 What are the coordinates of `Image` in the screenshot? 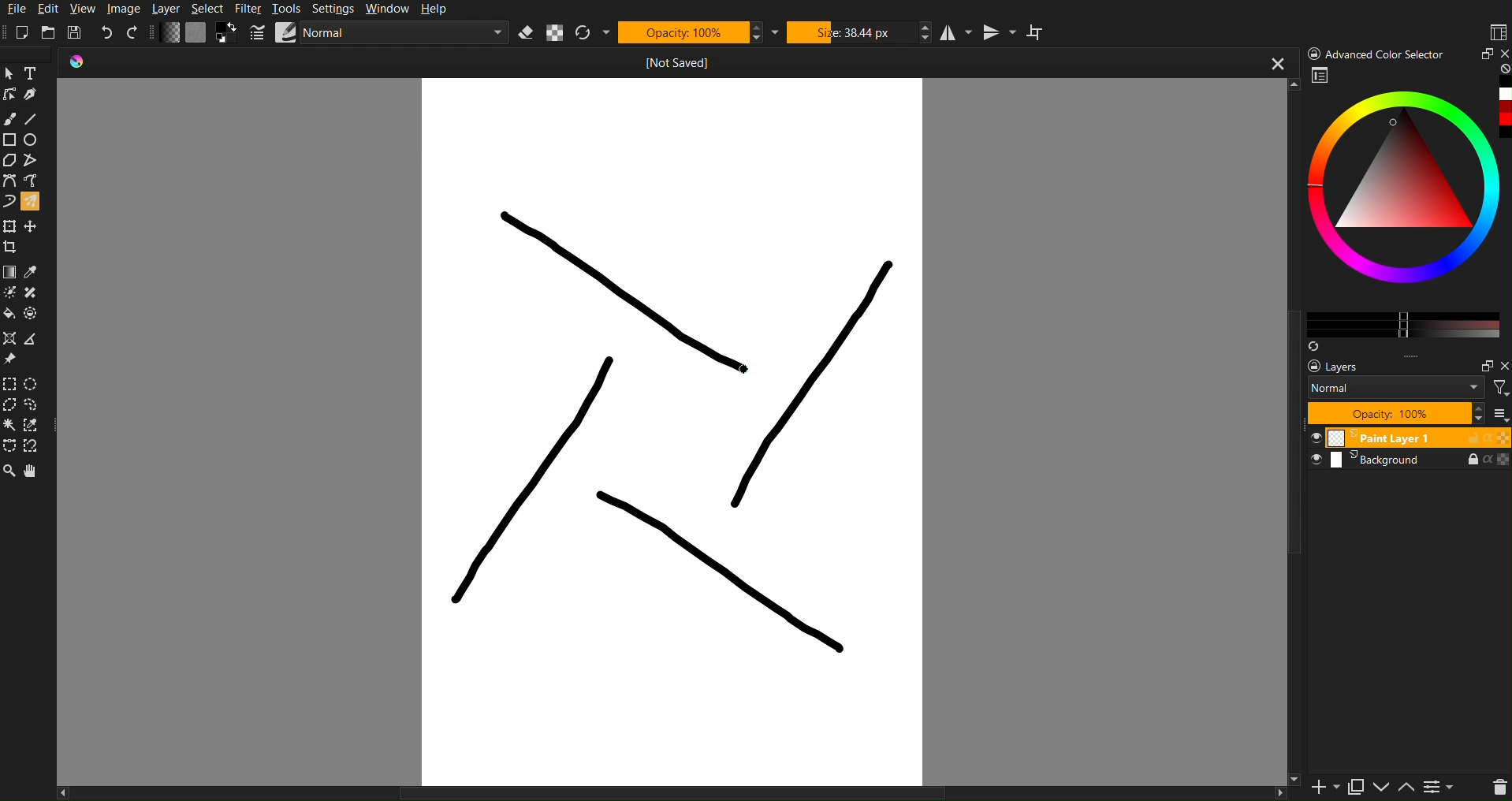 It's located at (126, 9).